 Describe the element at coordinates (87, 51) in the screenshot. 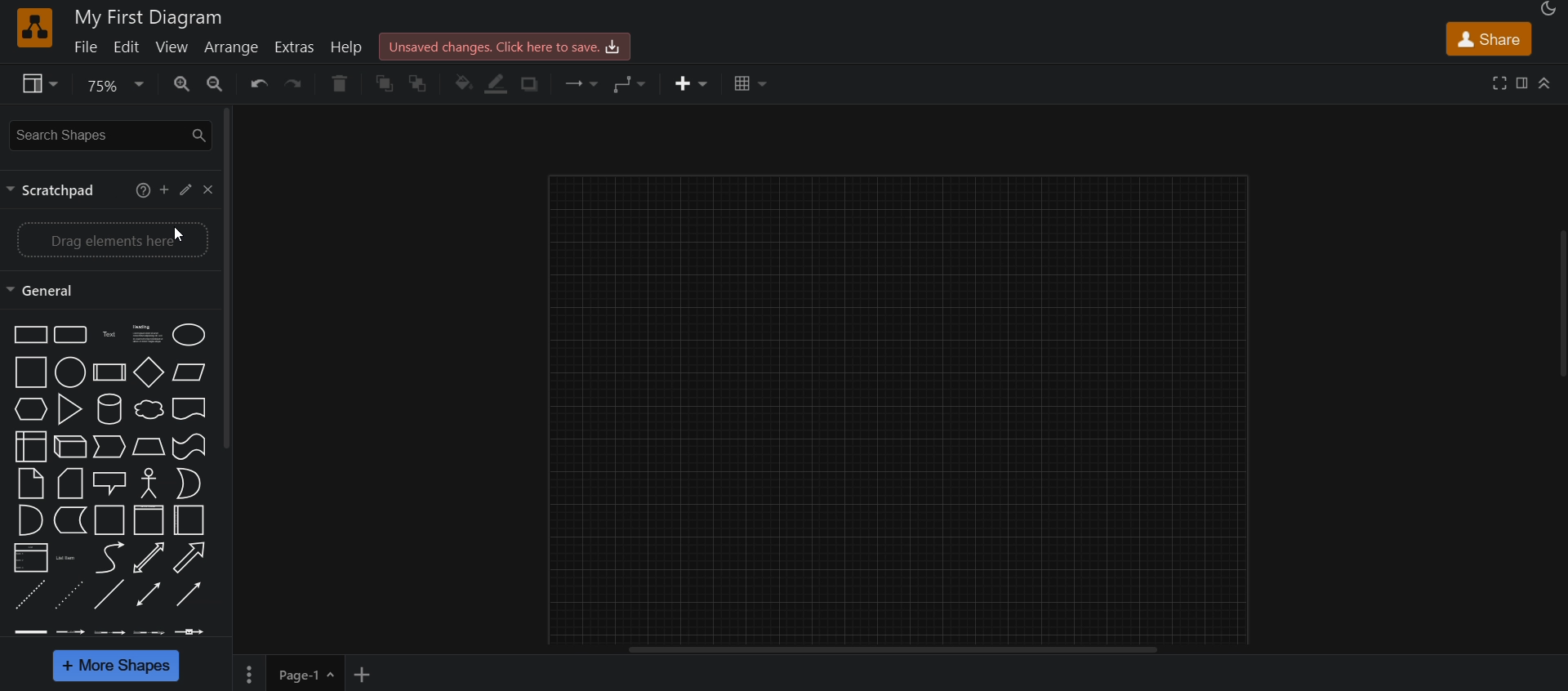

I see `file` at that location.